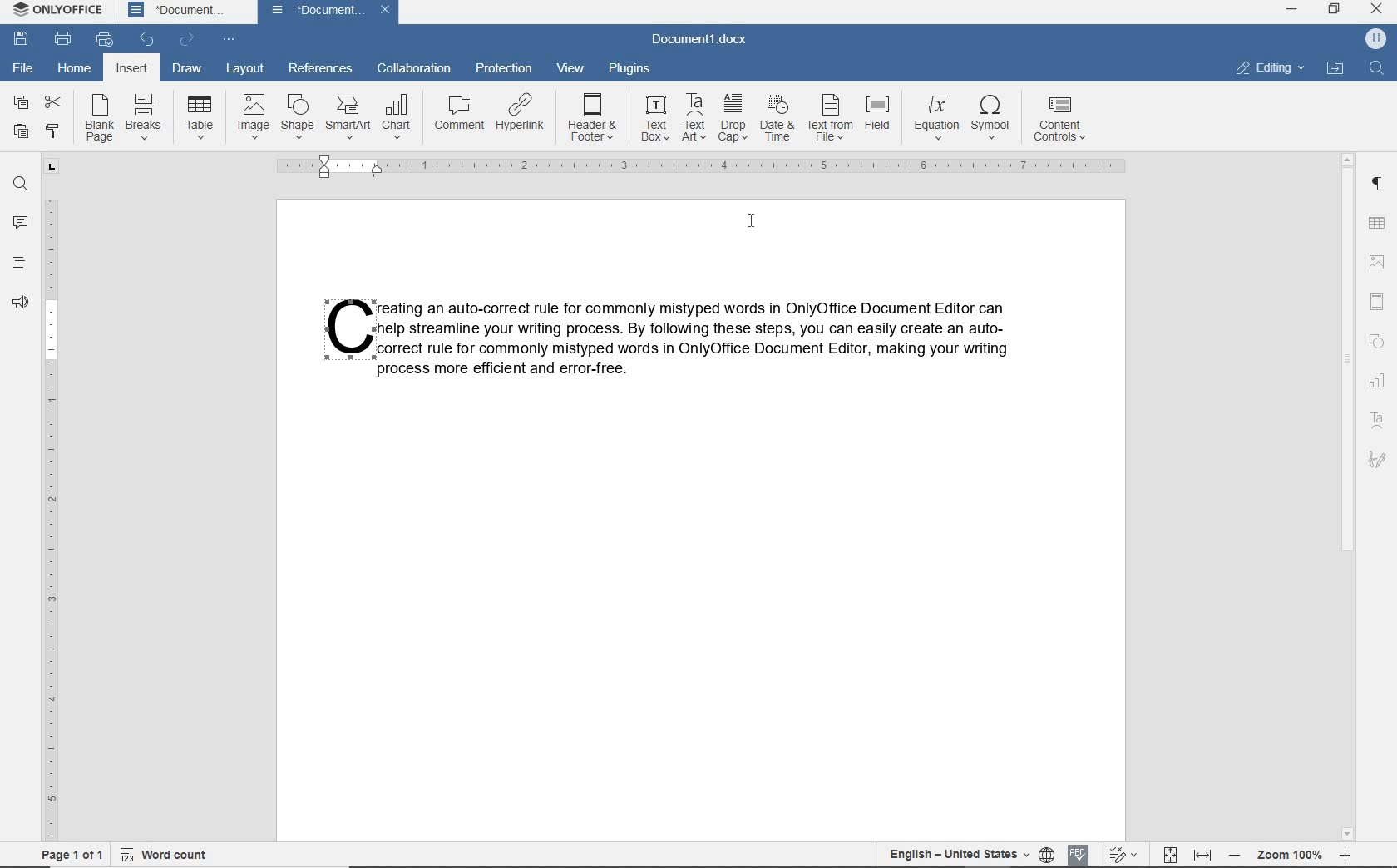  What do you see at coordinates (655, 118) in the screenshot?
I see `text box` at bounding box center [655, 118].